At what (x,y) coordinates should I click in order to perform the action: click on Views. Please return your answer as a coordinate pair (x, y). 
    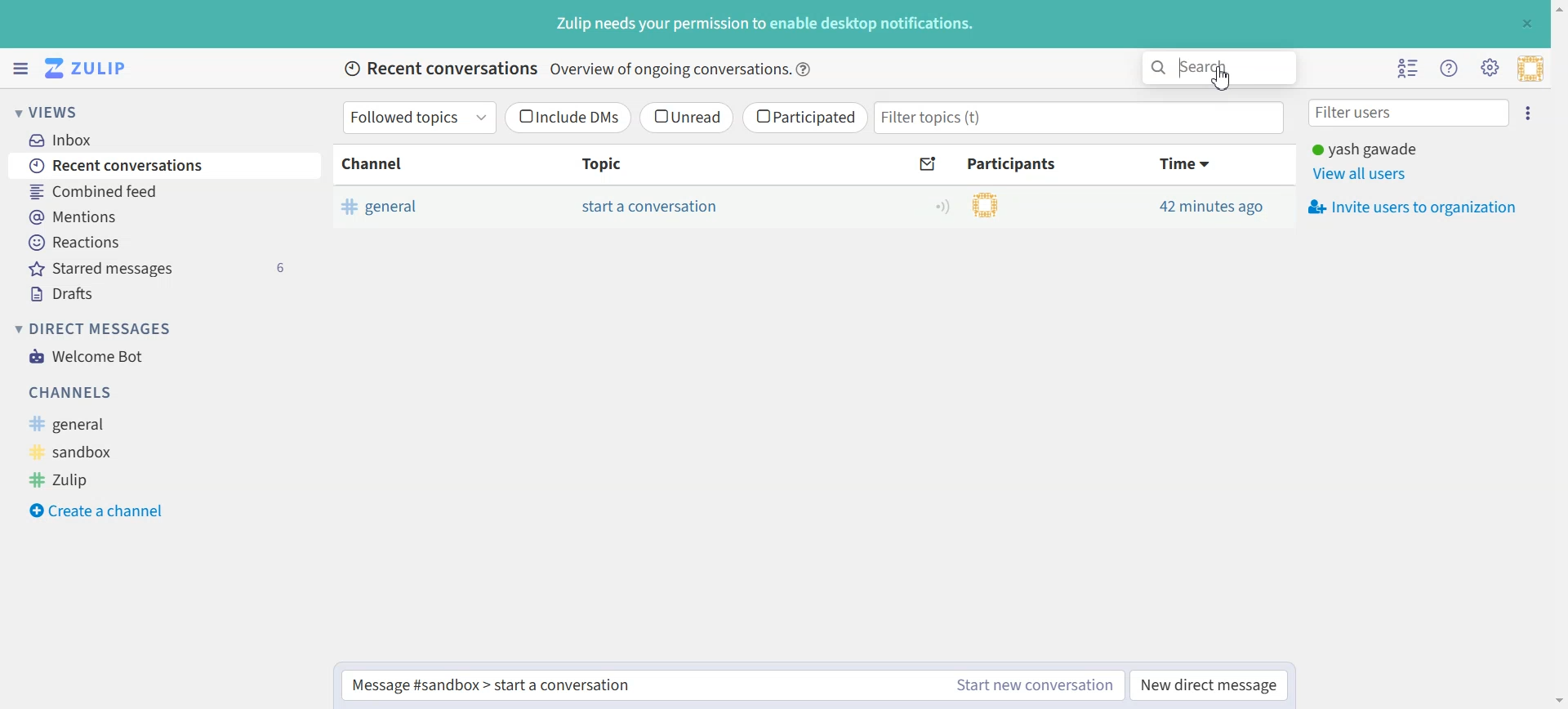
    Looking at the image, I should click on (69, 111).